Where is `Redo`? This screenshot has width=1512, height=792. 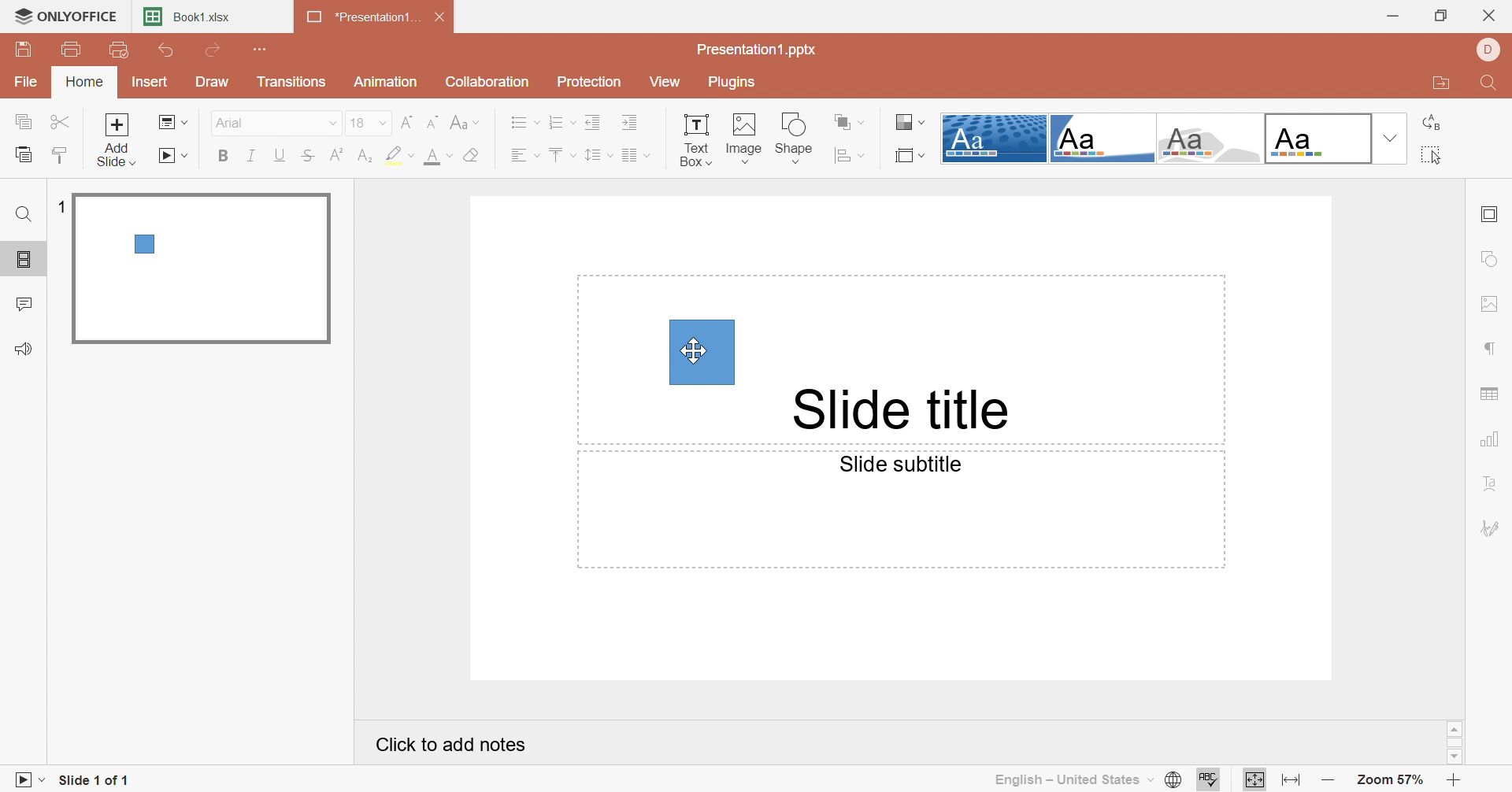
Redo is located at coordinates (214, 51).